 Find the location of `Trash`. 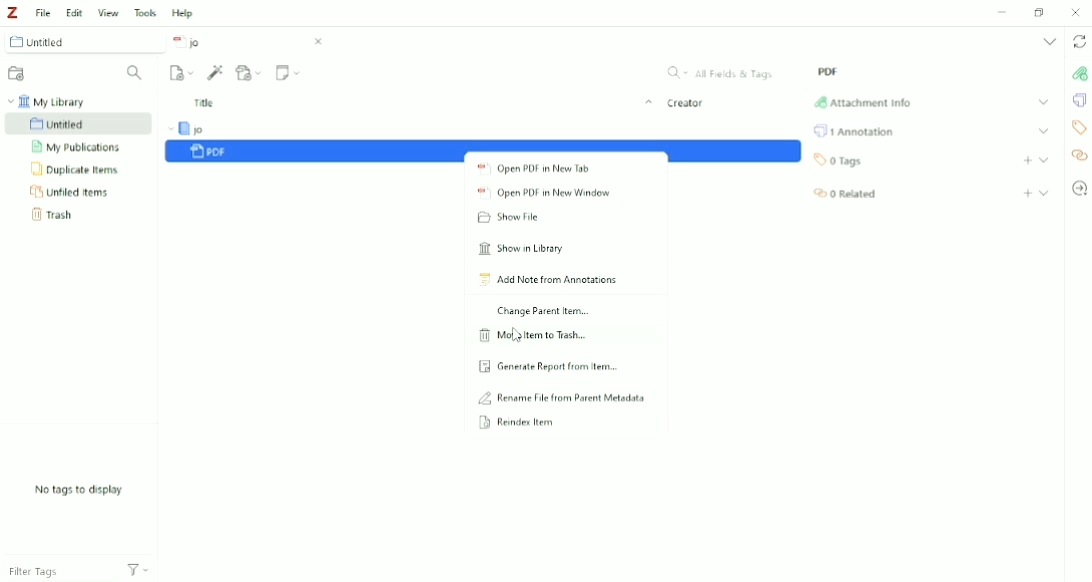

Trash is located at coordinates (58, 215).